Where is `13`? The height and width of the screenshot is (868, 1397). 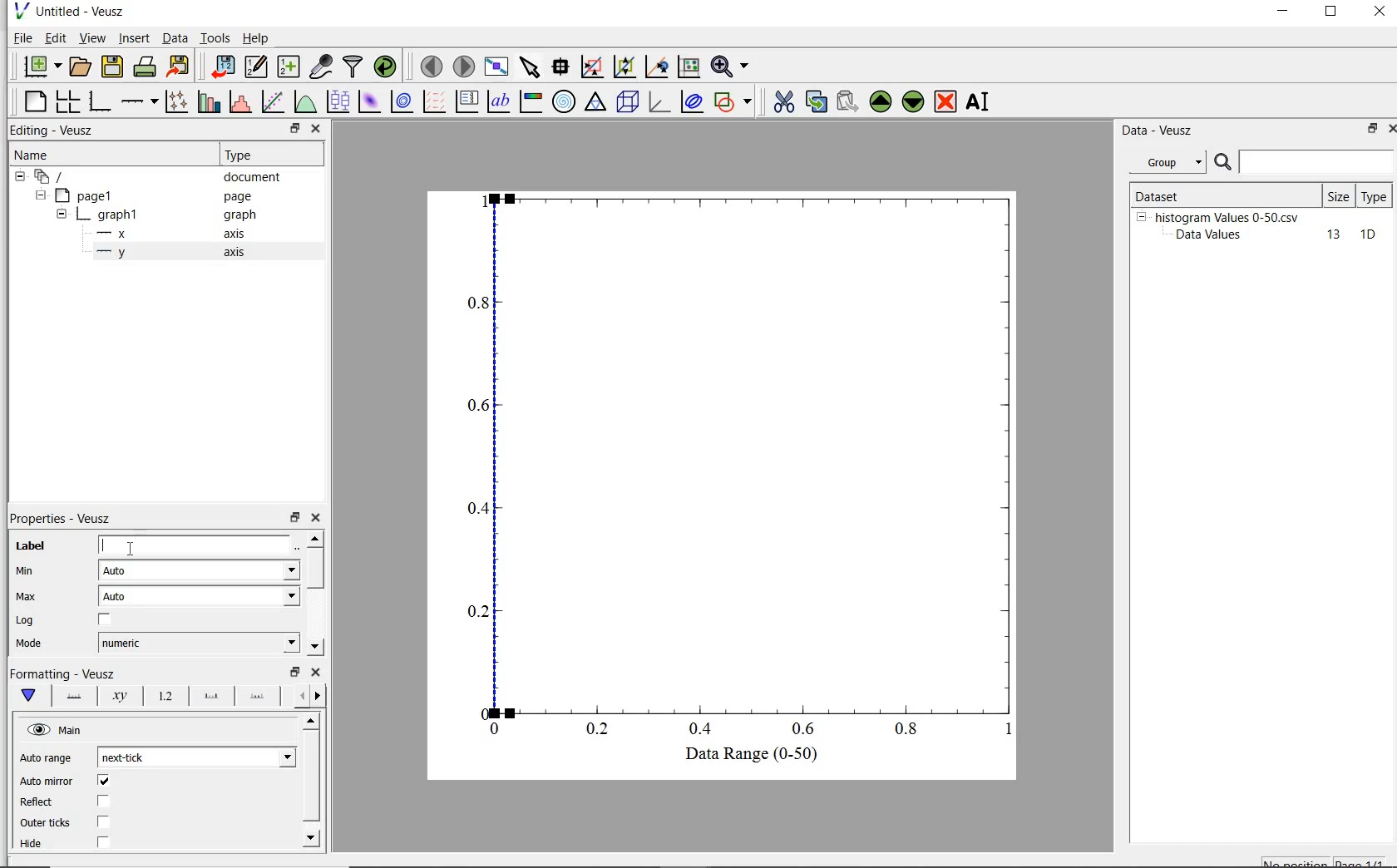
13 is located at coordinates (1326, 235).